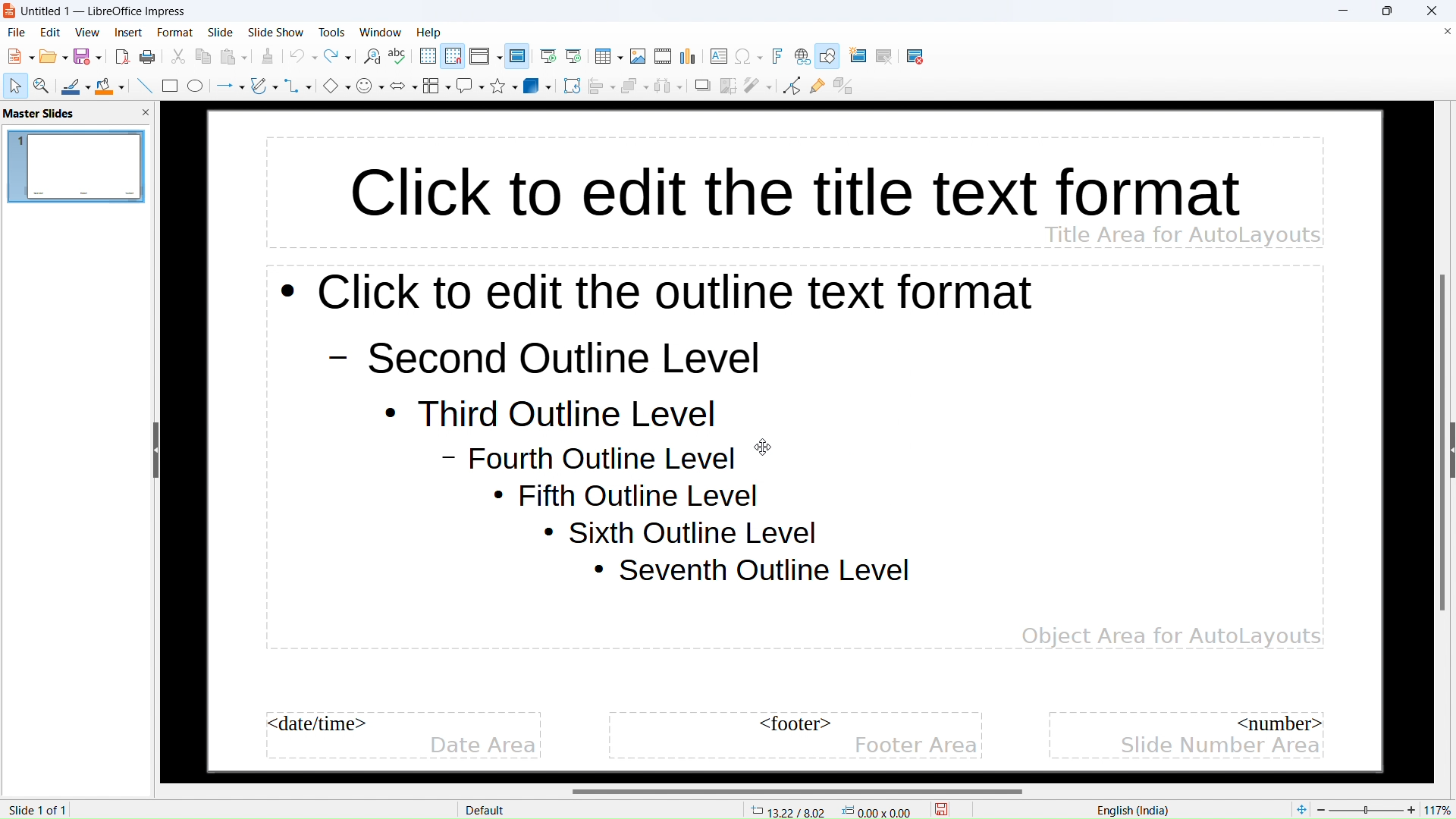 The width and height of the screenshot is (1456, 819). What do you see at coordinates (10, 11) in the screenshot?
I see `logo` at bounding box center [10, 11].